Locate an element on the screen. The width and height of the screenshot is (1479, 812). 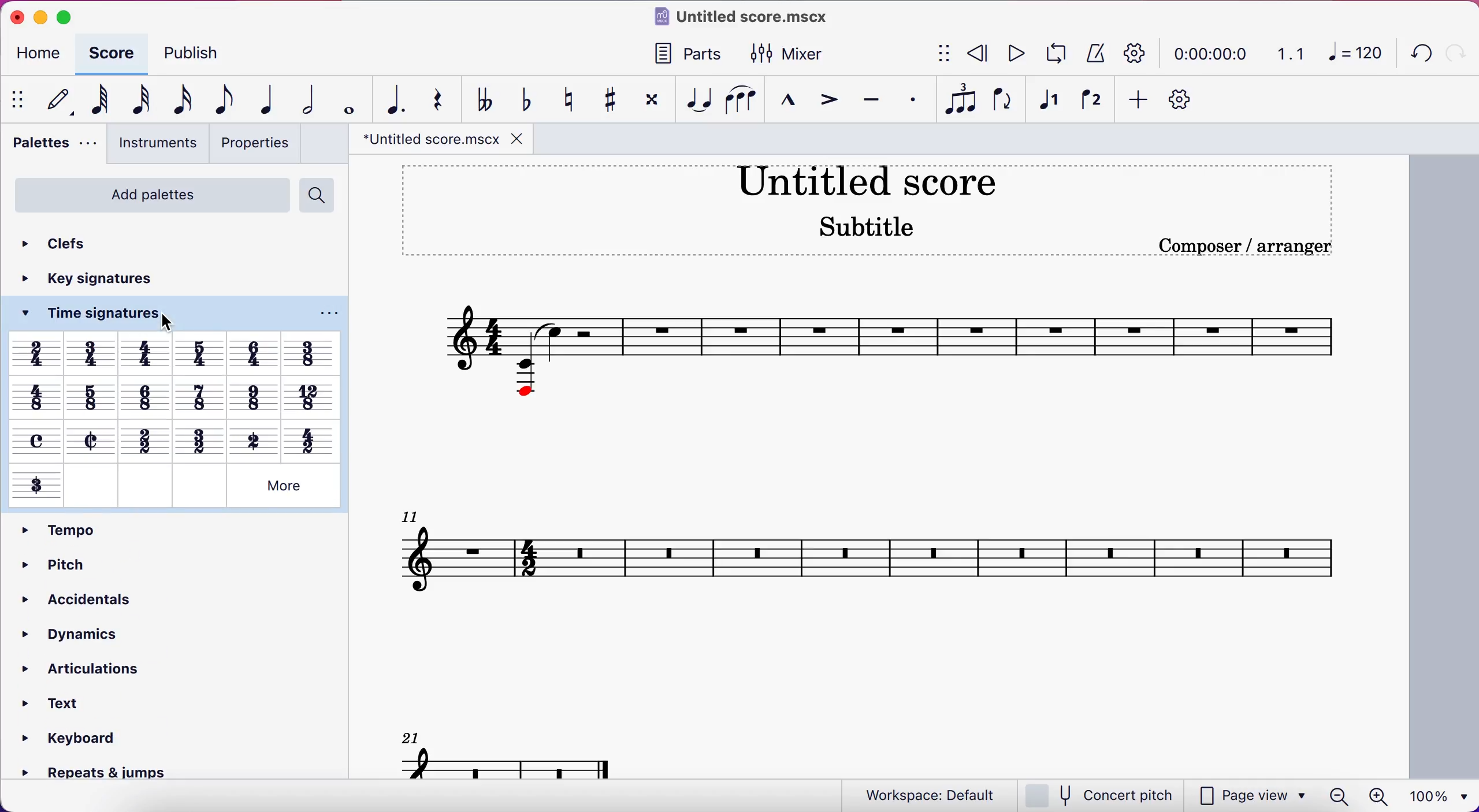
accidentals is located at coordinates (71, 602).